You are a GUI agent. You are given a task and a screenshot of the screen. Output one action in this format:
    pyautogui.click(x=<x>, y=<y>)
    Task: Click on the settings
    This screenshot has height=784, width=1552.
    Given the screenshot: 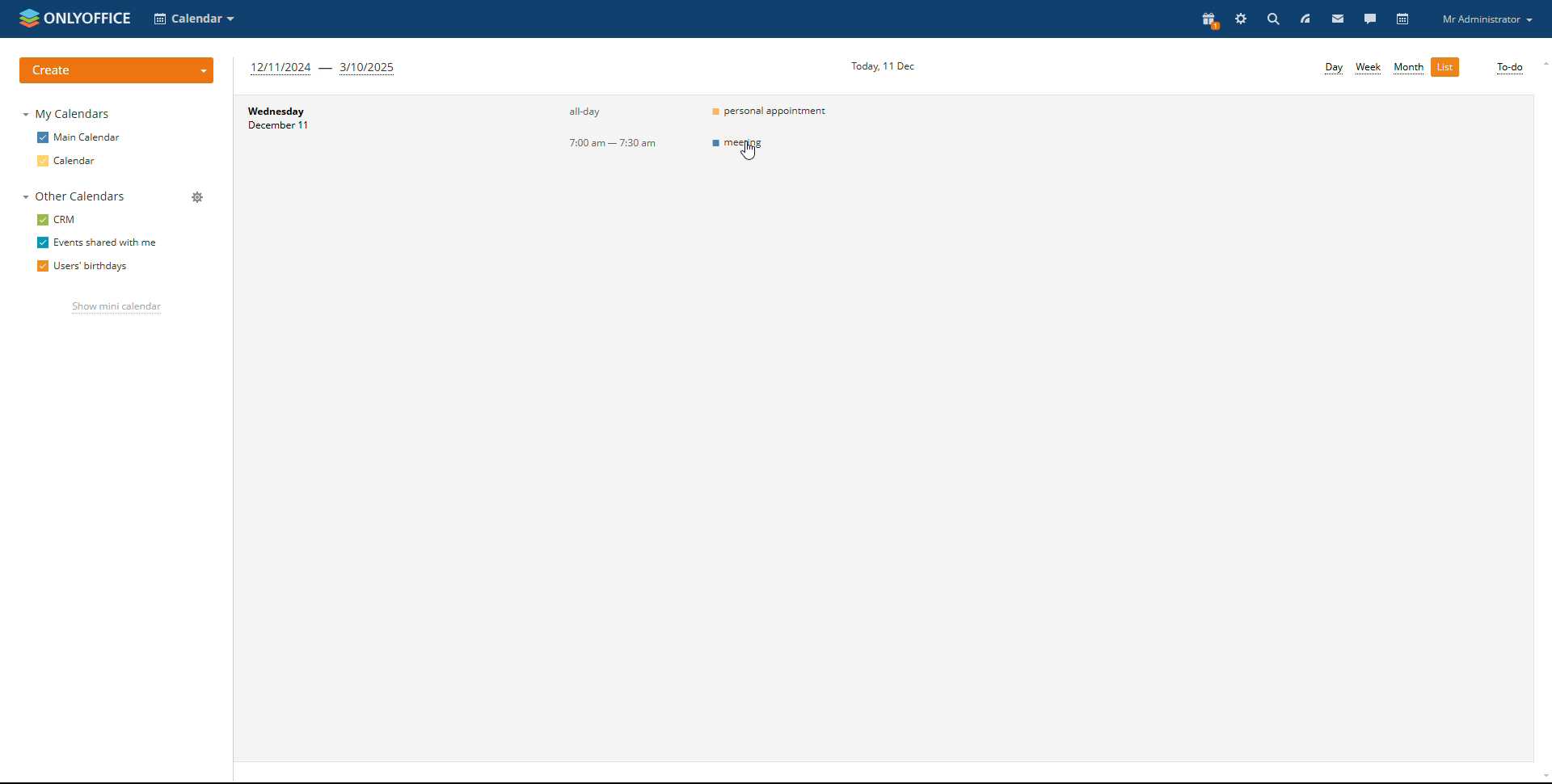 What is the action you would take?
    pyautogui.click(x=1242, y=19)
    